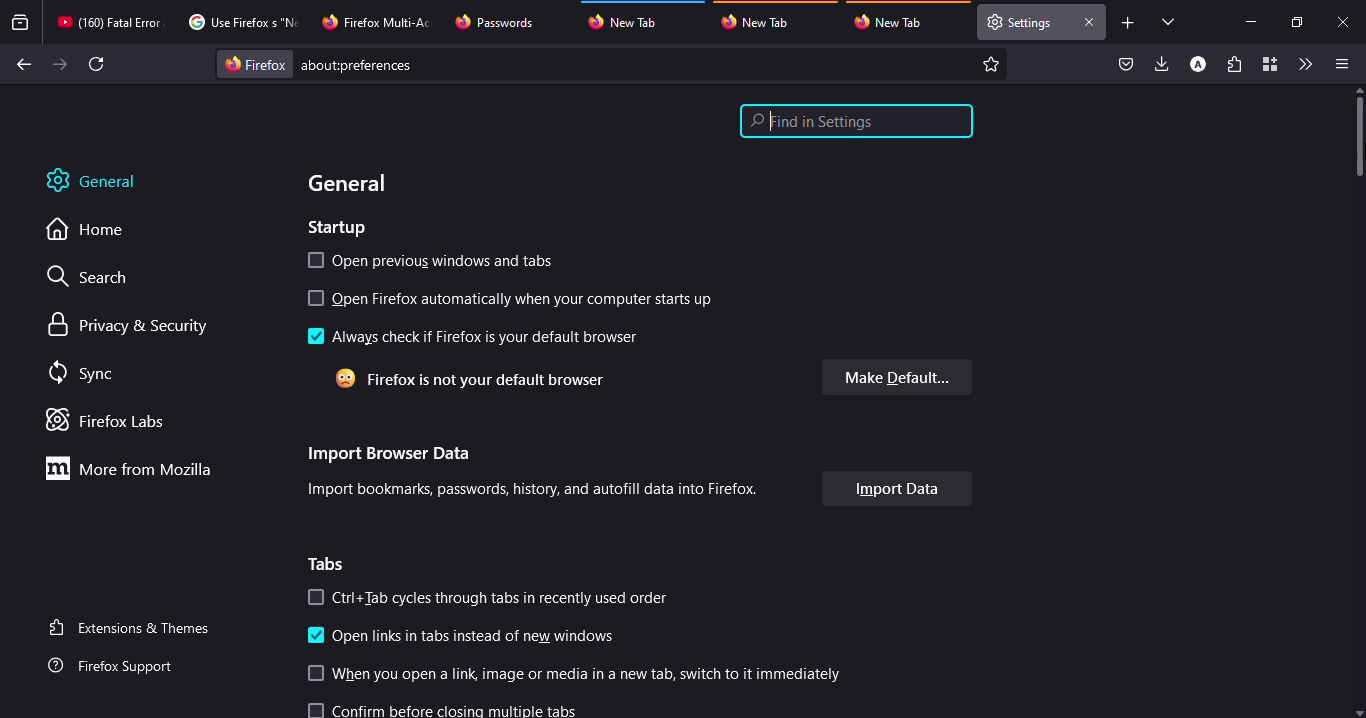  Describe the element at coordinates (506, 598) in the screenshot. I see `cycles` at that location.